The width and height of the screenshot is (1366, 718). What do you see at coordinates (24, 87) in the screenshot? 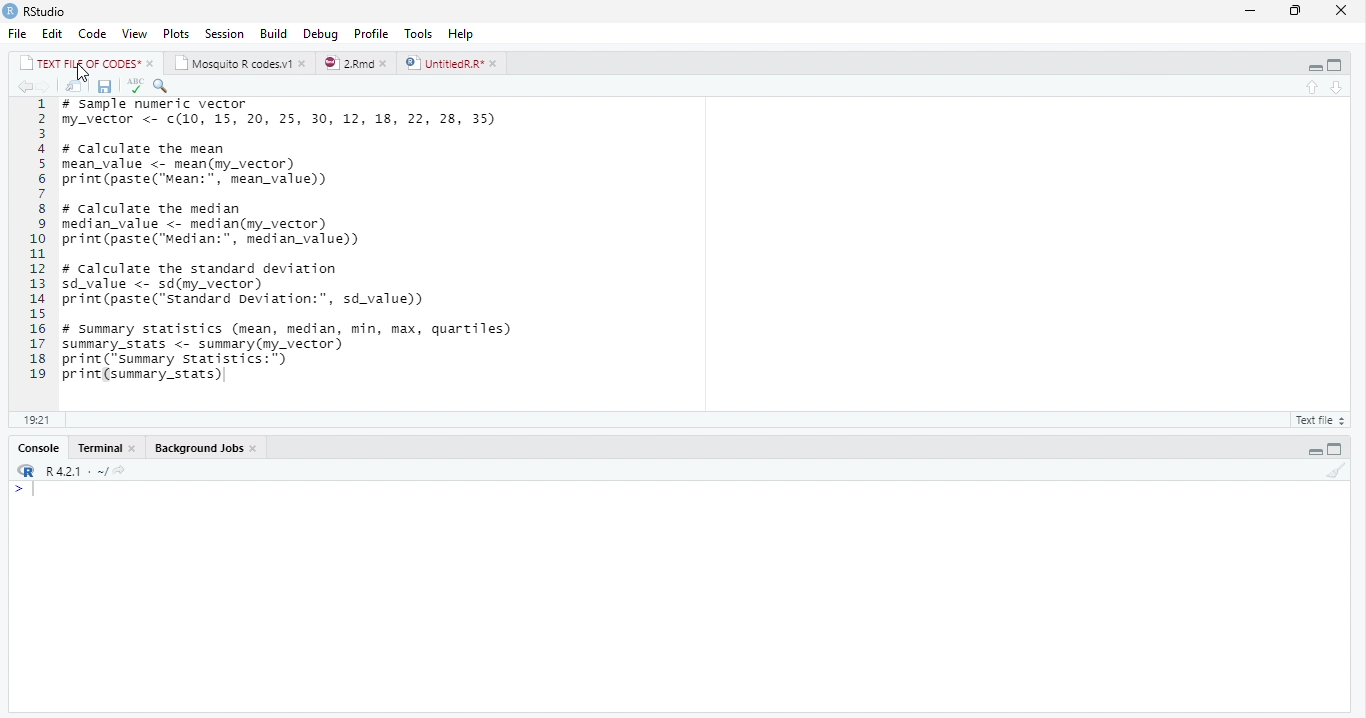
I see `back` at bounding box center [24, 87].